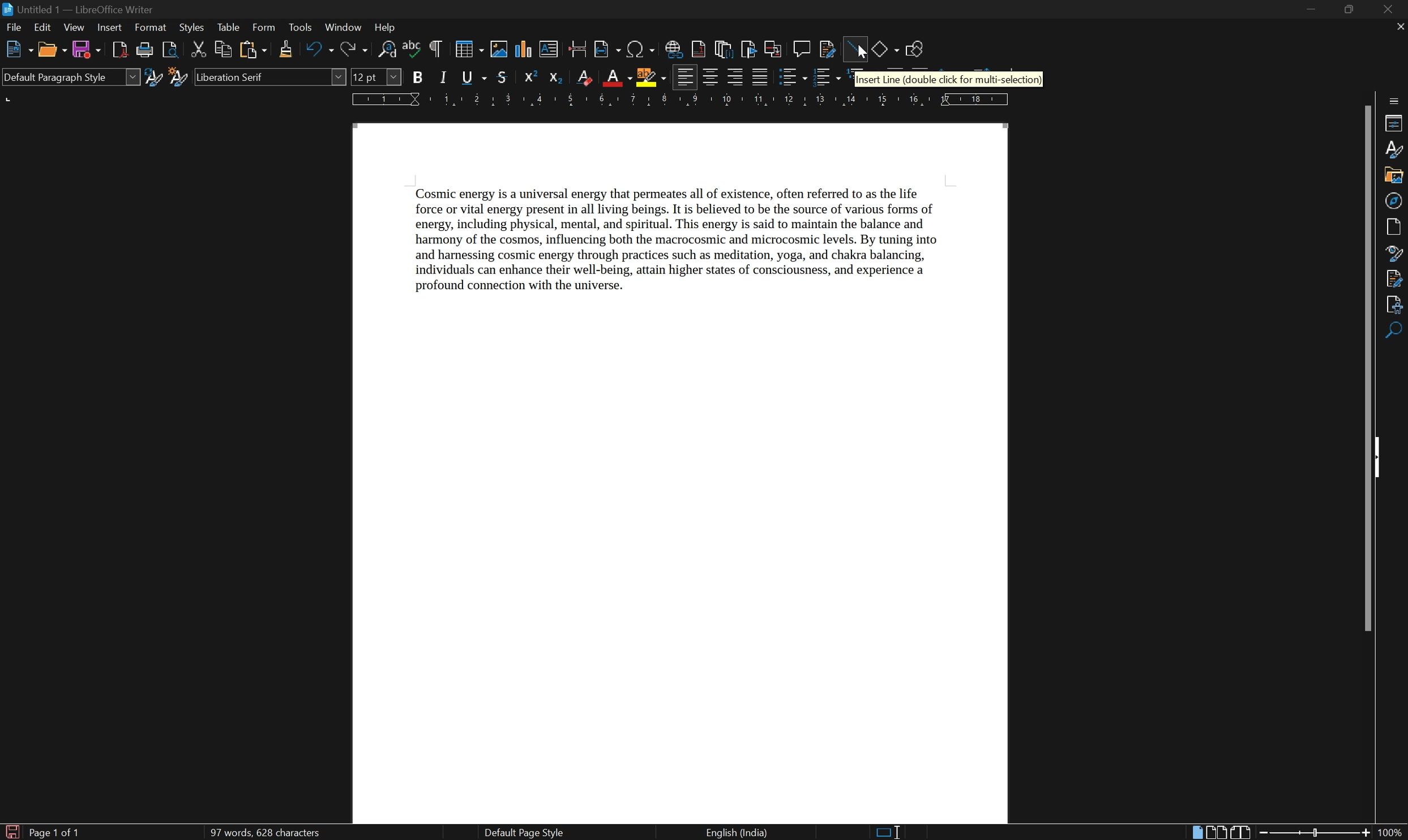  What do you see at coordinates (606, 50) in the screenshot?
I see `insert field` at bounding box center [606, 50].